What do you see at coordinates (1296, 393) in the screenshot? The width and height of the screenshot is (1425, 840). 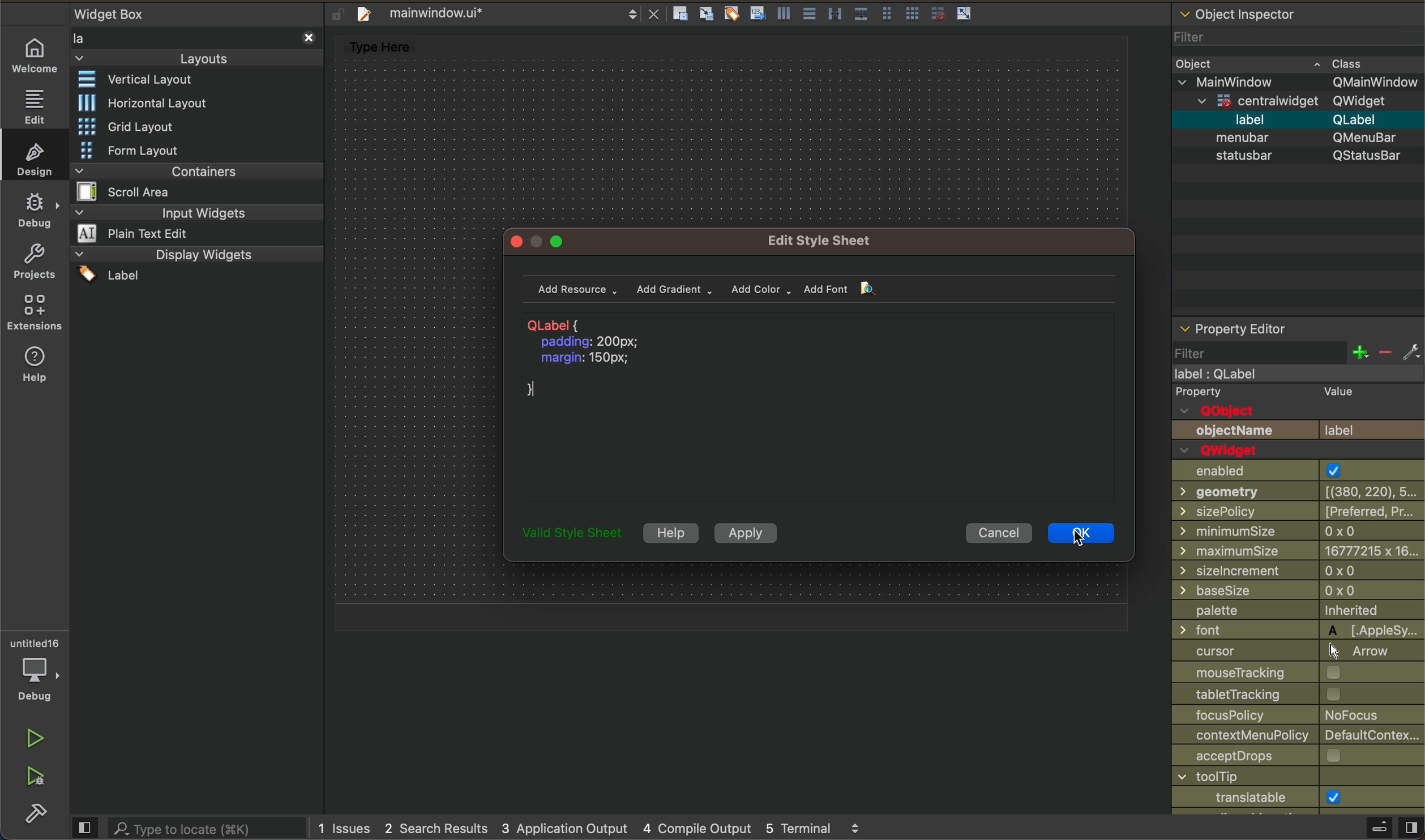 I see `property` at bounding box center [1296, 393].